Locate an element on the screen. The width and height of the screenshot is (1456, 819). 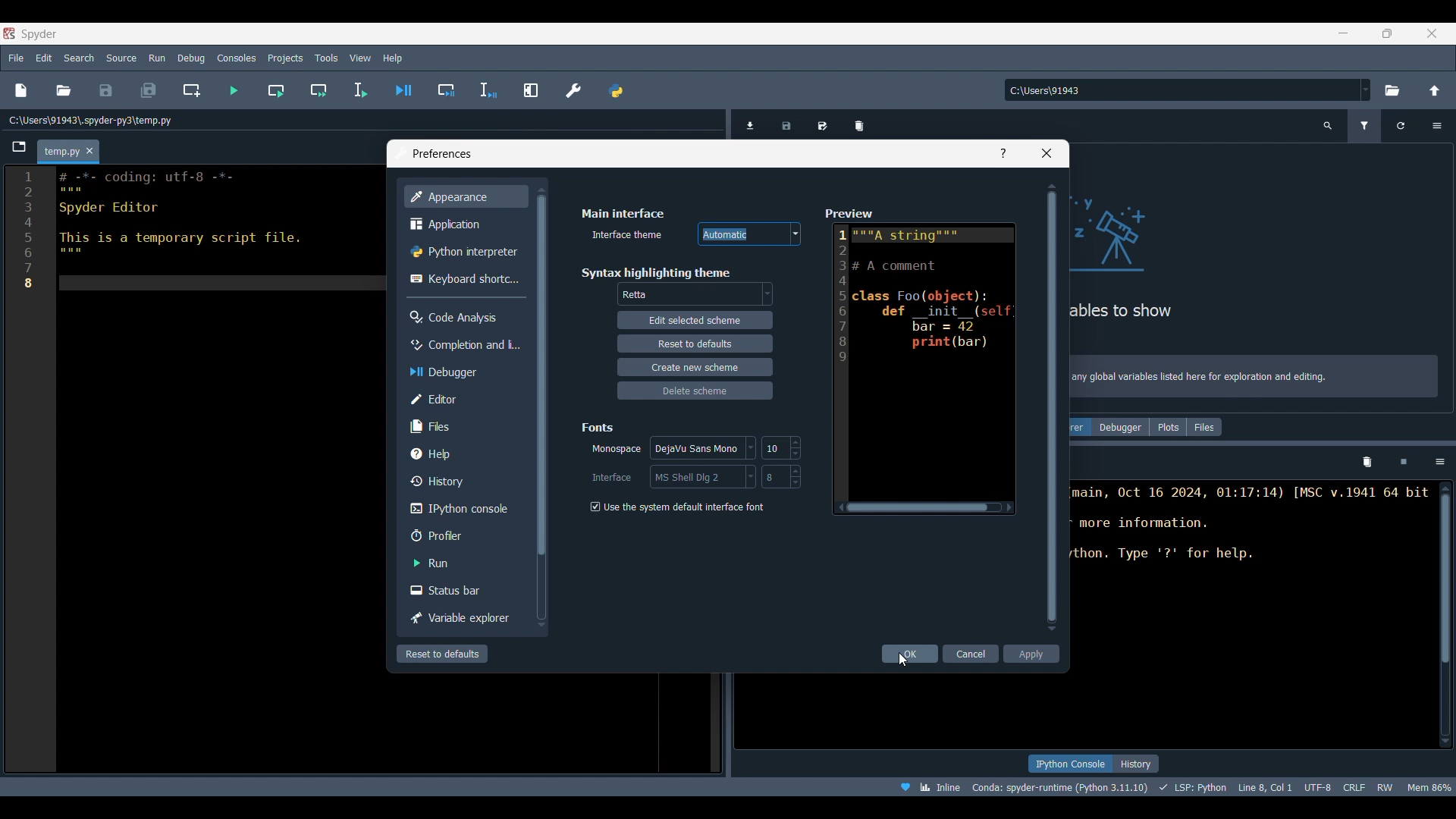
Debug menu is located at coordinates (191, 58).